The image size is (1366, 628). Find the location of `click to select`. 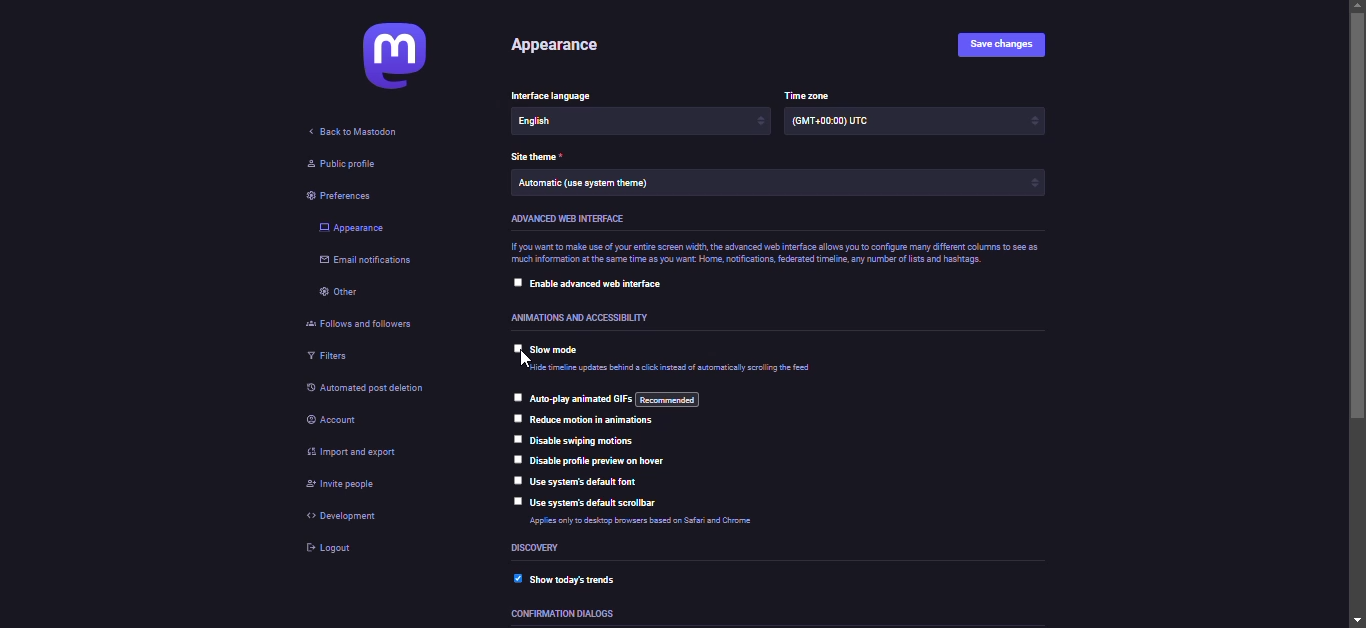

click to select is located at coordinates (516, 416).